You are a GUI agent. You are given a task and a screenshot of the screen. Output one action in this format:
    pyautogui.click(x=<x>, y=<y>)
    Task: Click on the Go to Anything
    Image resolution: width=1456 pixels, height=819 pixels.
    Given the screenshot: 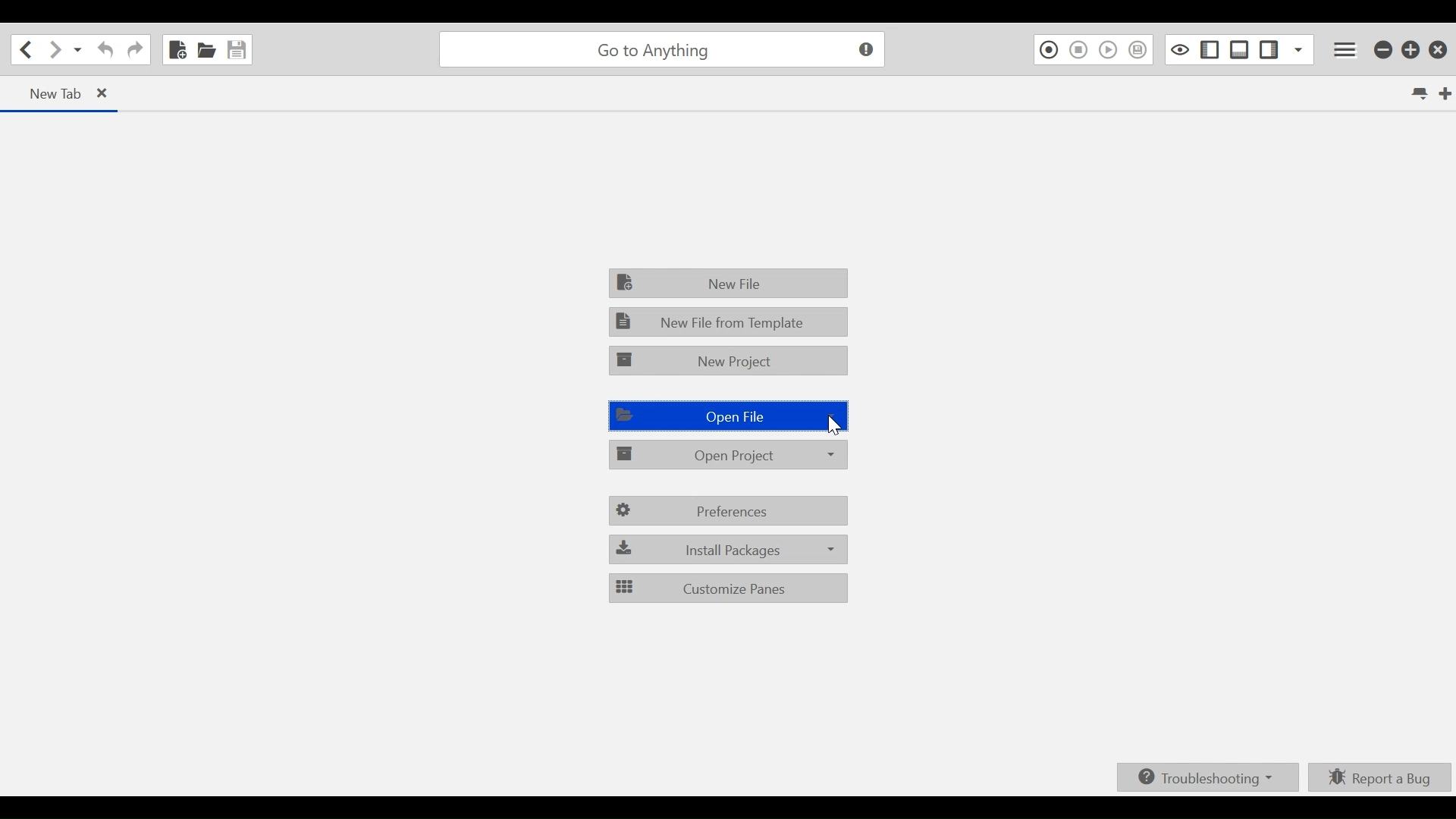 What is the action you would take?
    pyautogui.click(x=666, y=50)
    